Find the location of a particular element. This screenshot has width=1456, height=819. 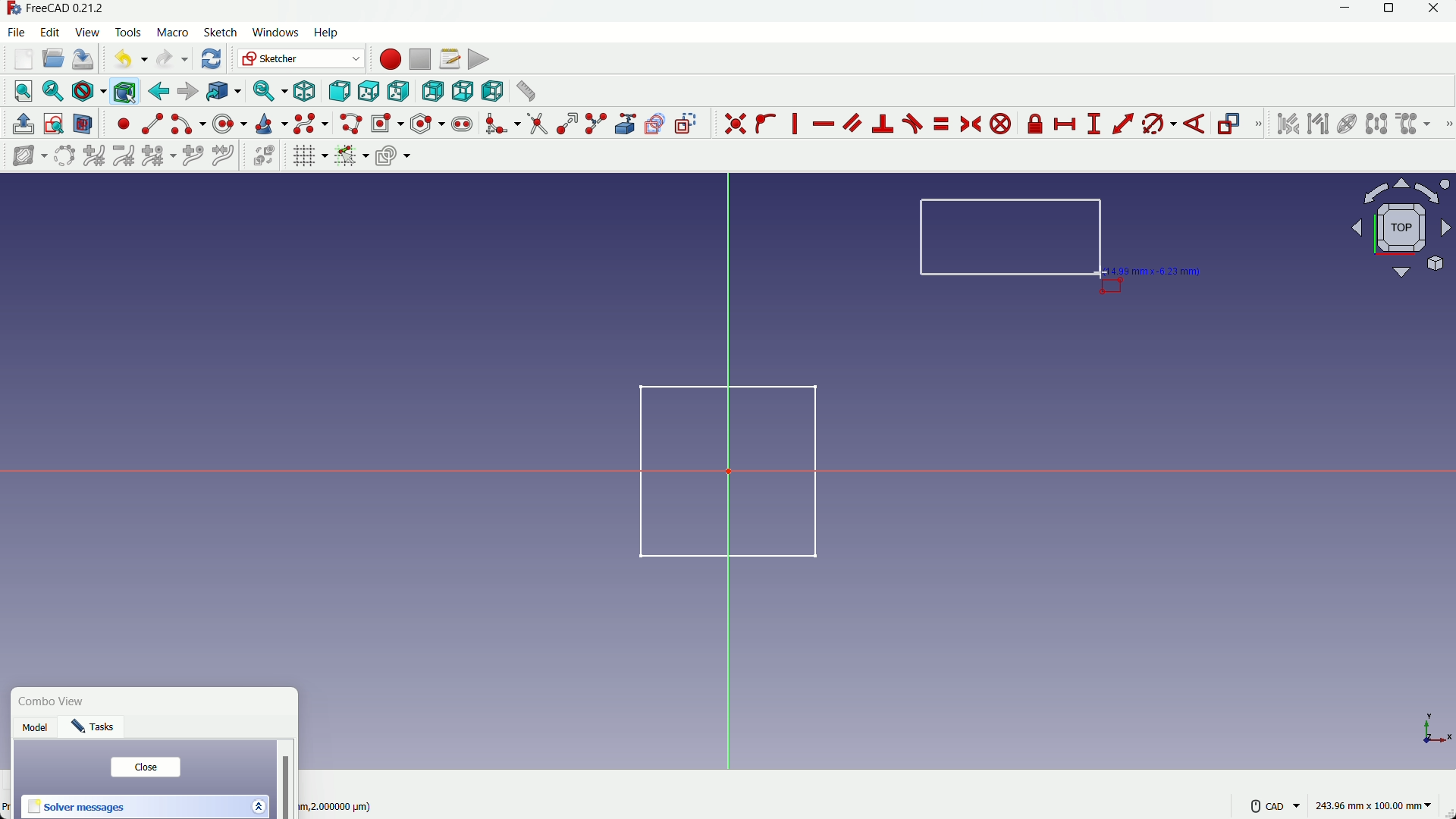

measuring unit is located at coordinates (1376, 806).